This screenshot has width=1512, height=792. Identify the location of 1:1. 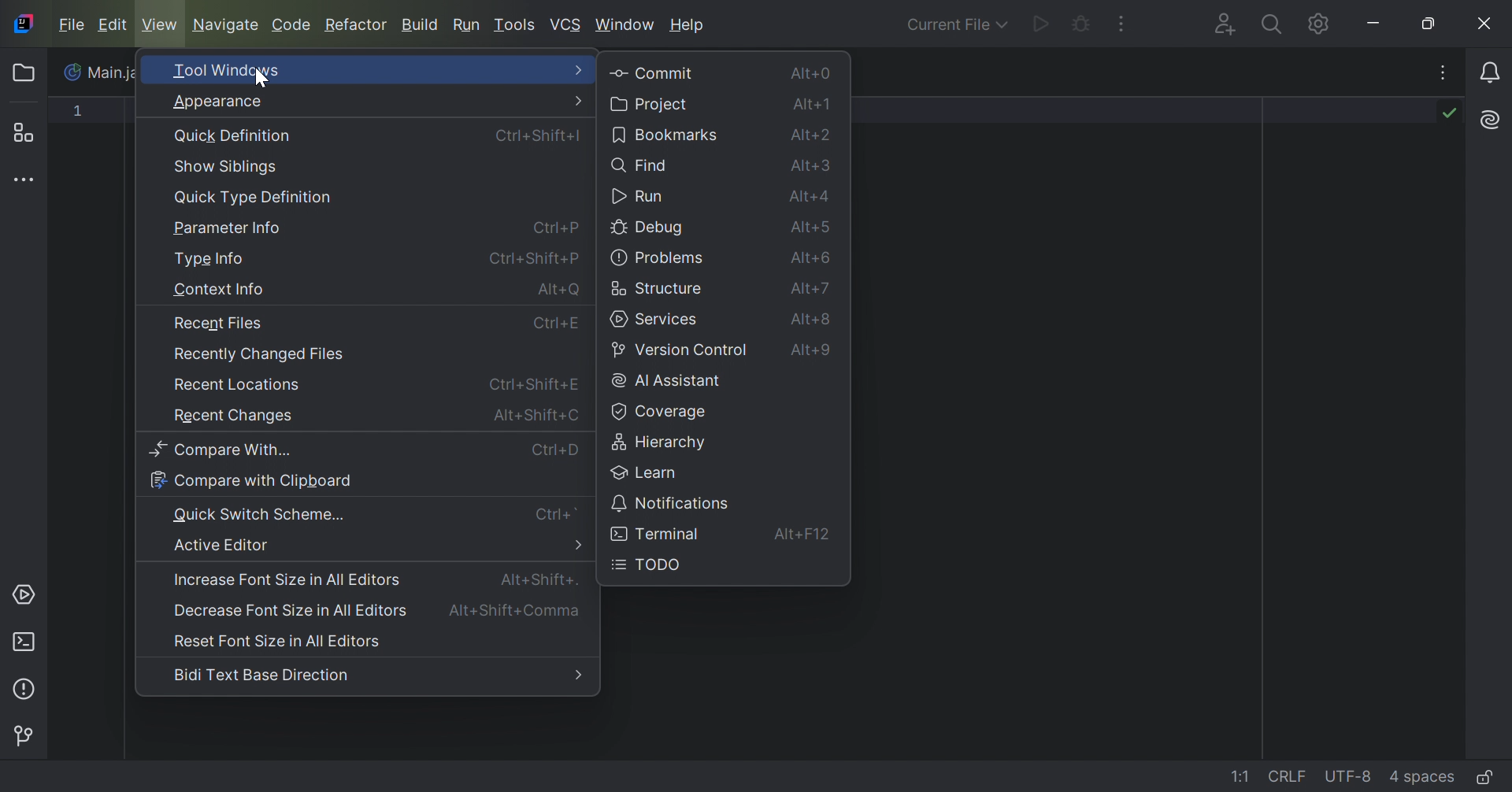
(1243, 777).